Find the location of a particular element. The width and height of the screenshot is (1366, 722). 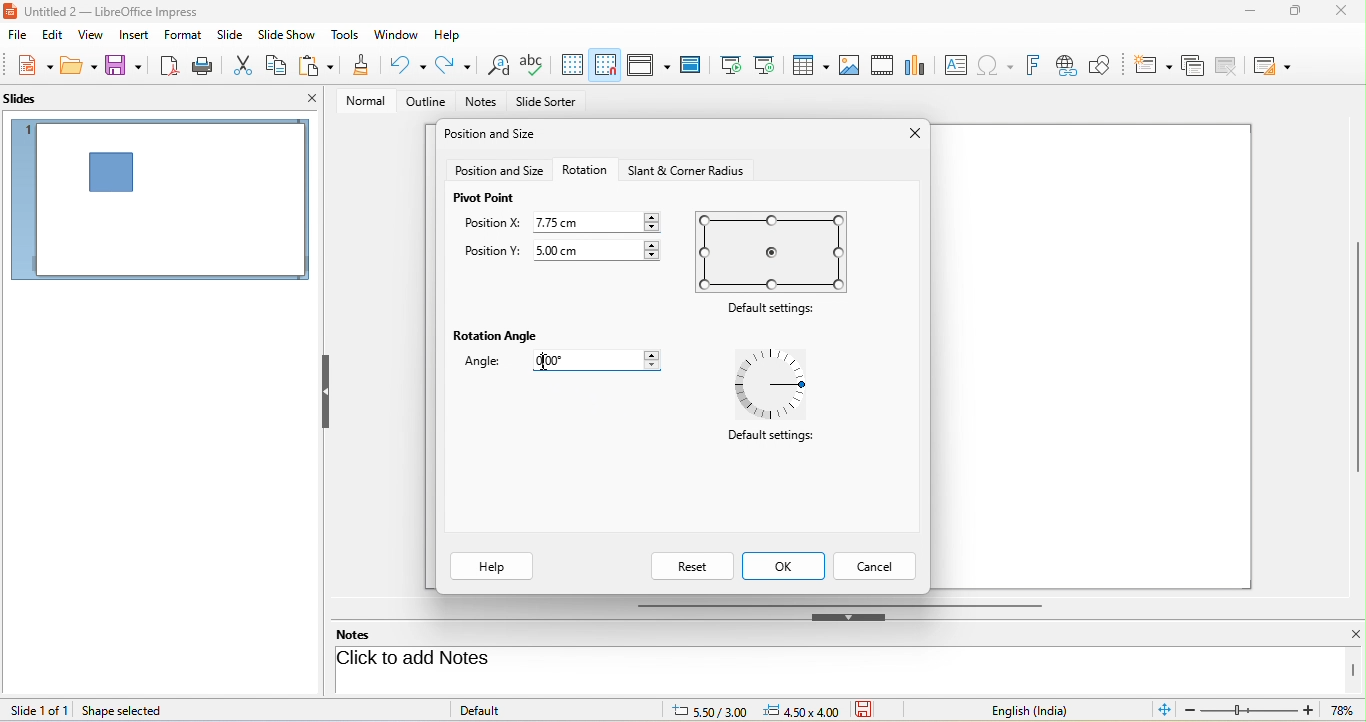

close is located at coordinates (911, 135).